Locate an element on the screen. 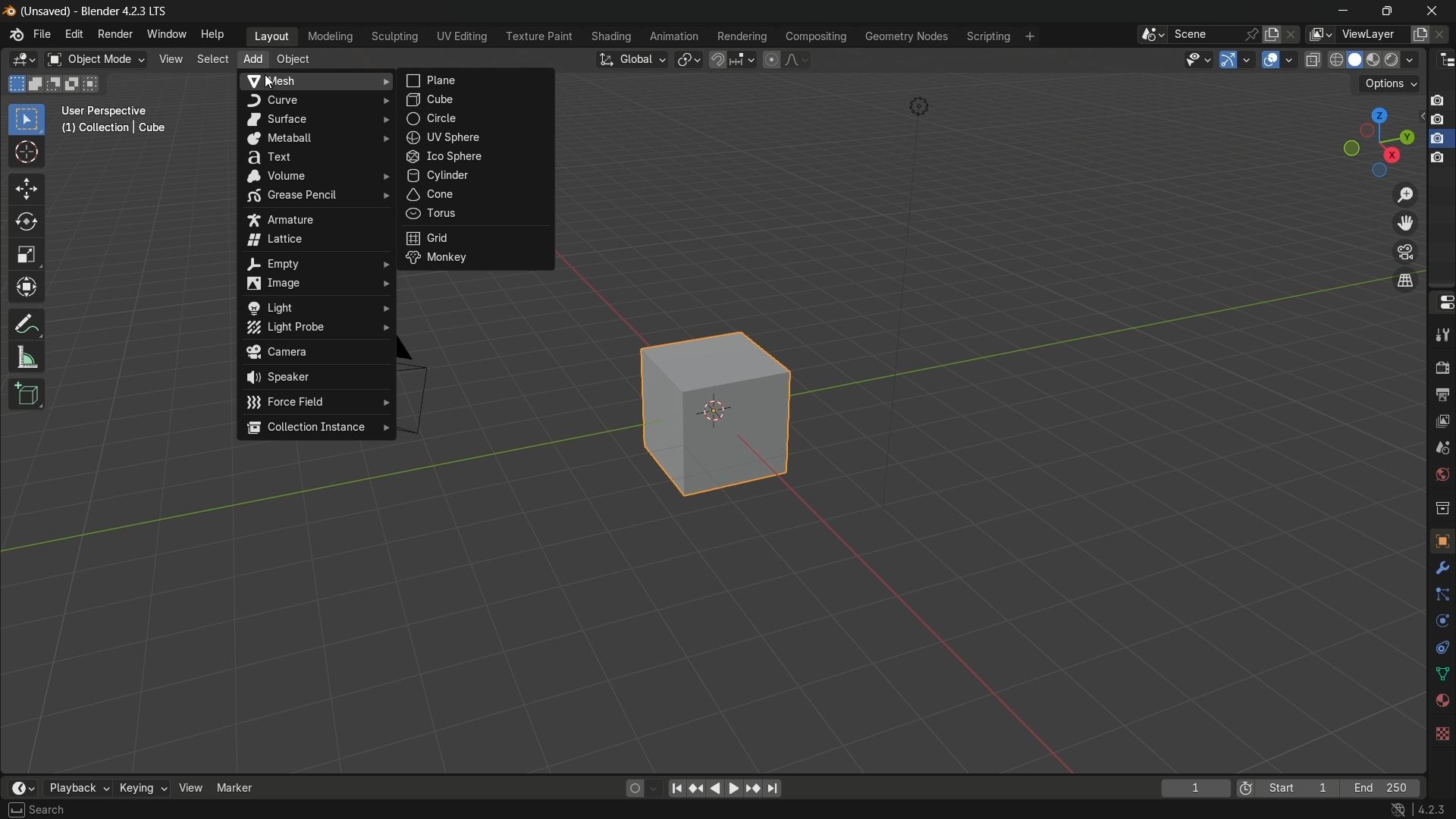  layer 3 is located at coordinates (1437, 139).